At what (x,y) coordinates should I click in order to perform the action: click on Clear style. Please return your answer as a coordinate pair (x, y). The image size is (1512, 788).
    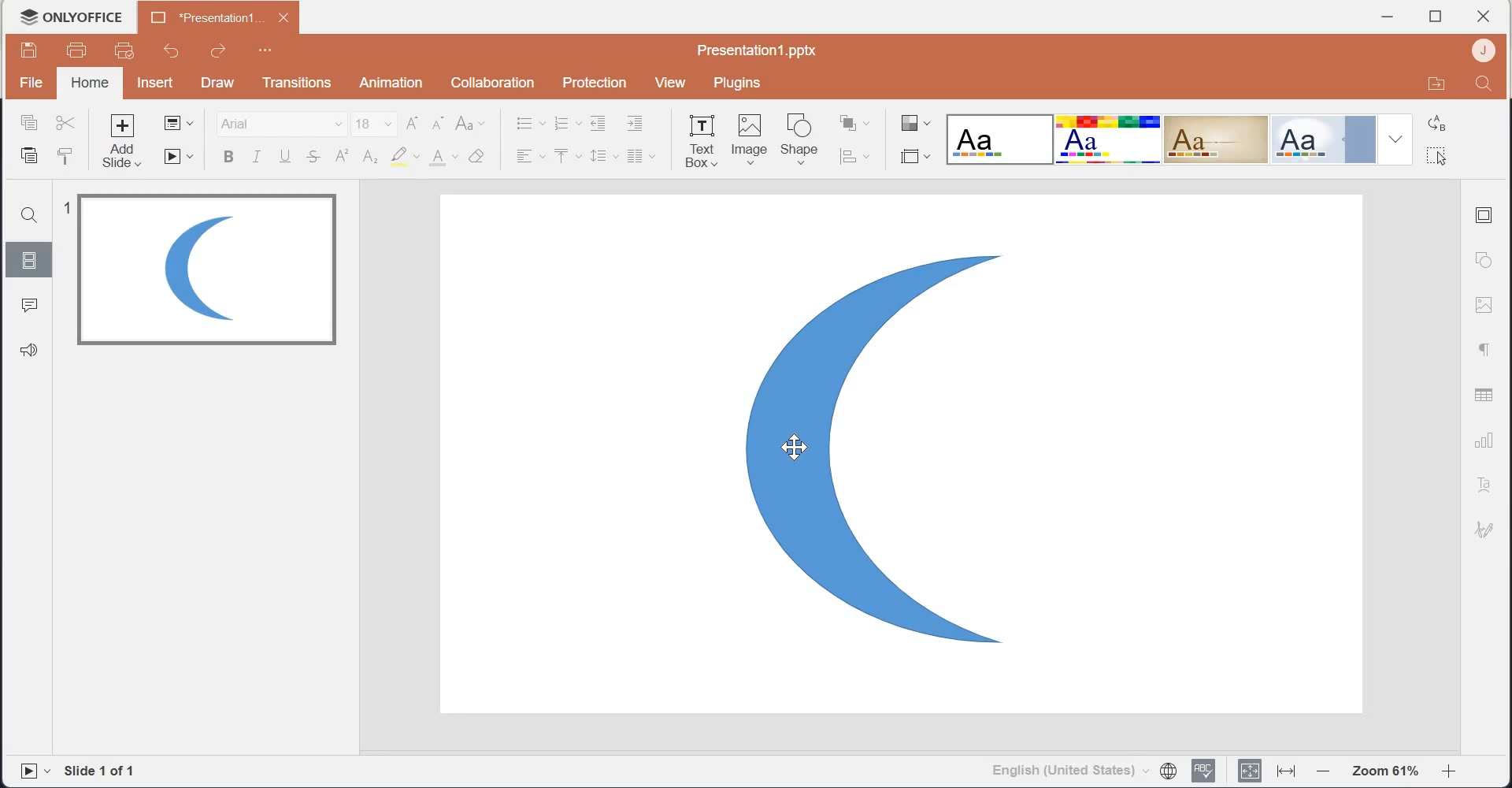
    Looking at the image, I should click on (481, 155).